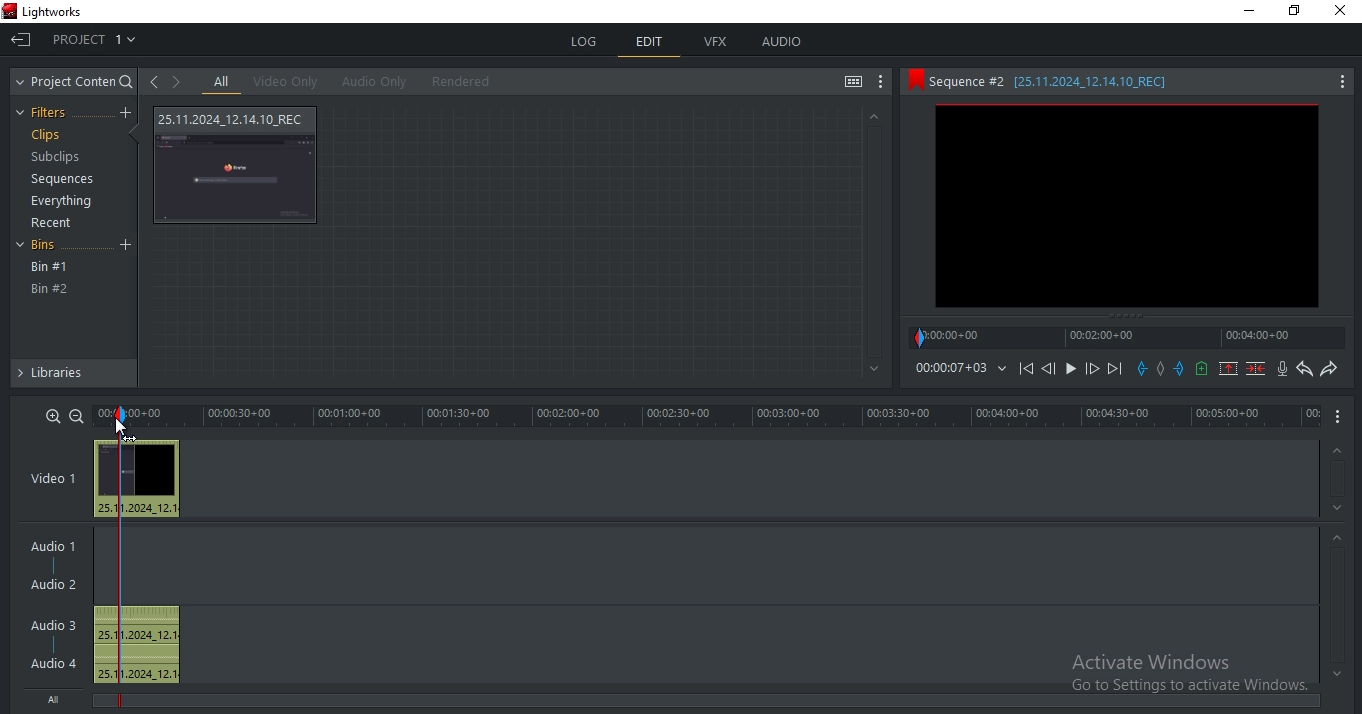 This screenshot has width=1362, height=714. What do you see at coordinates (39, 246) in the screenshot?
I see `bins` at bounding box center [39, 246].